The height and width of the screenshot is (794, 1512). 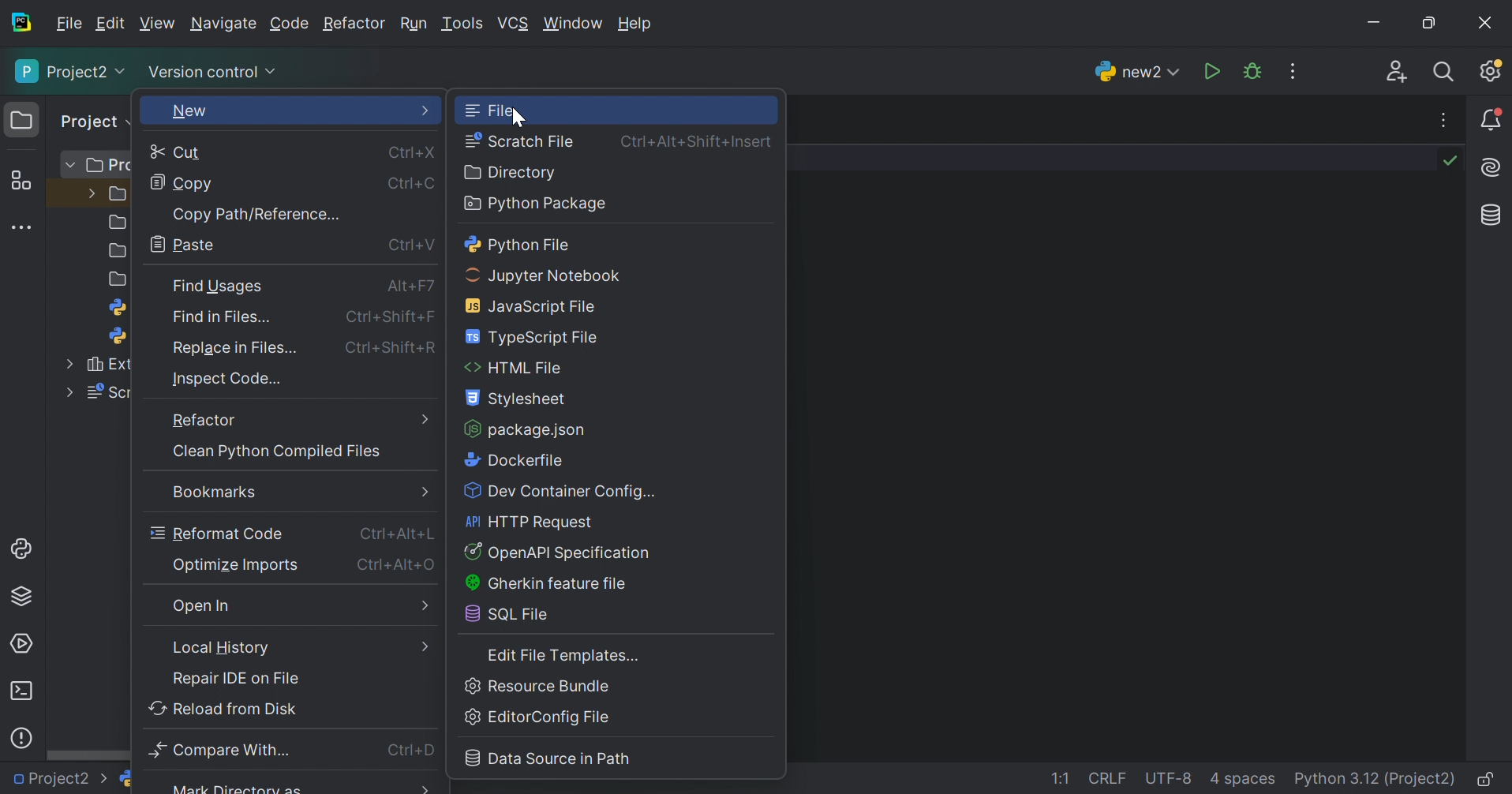 I want to click on File, so click(x=69, y=24).